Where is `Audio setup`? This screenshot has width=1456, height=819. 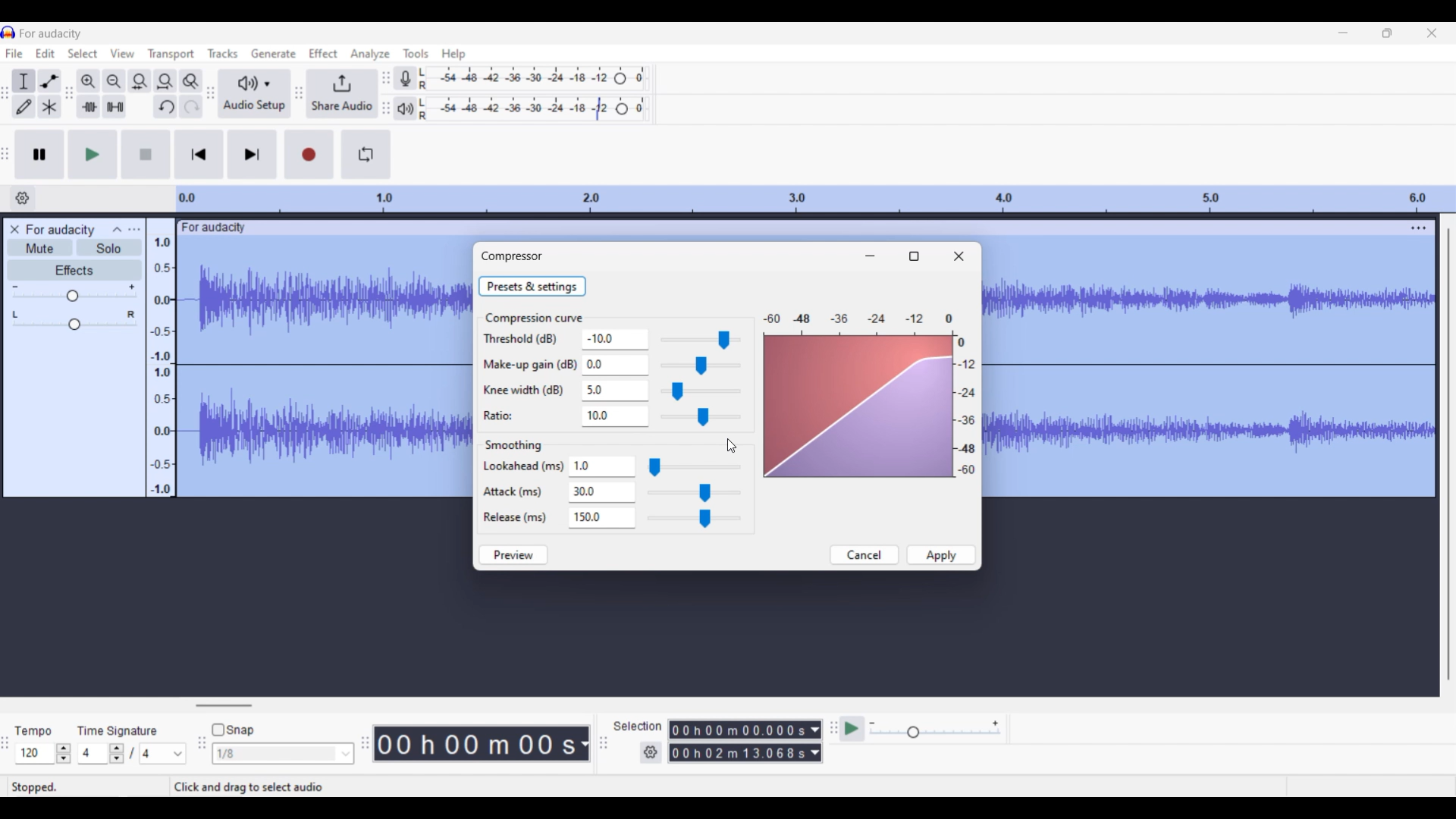 Audio setup is located at coordinates (253, 93).